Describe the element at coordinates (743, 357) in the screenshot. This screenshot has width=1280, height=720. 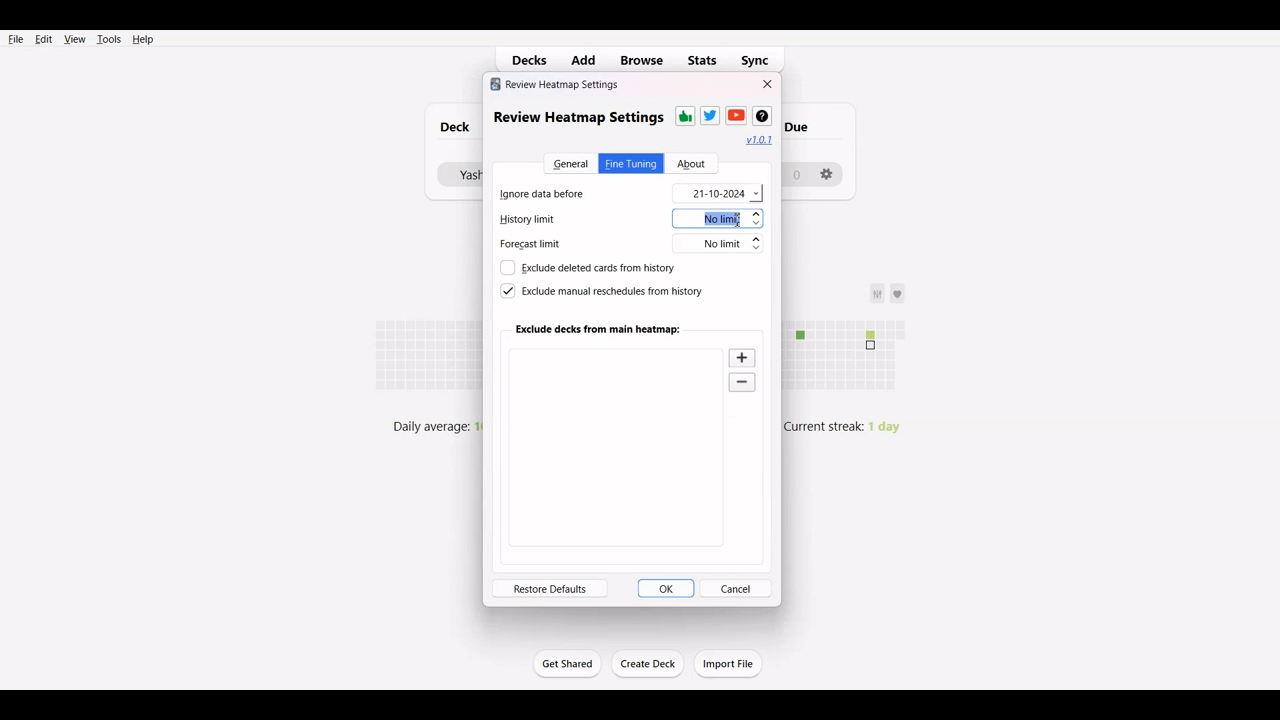
I see `Zoom in` at that location.